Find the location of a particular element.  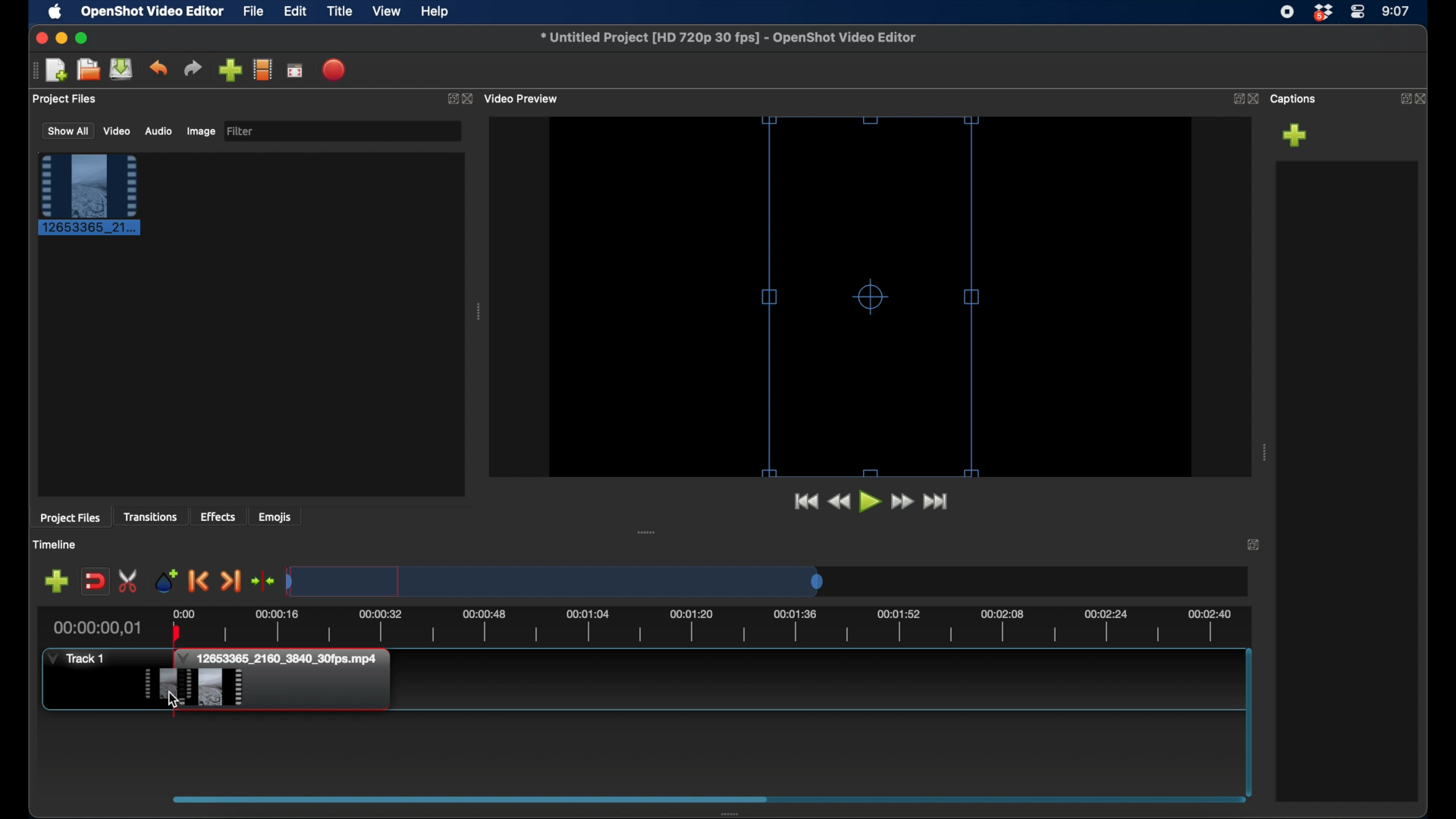

close is located at coordinates (39, 38).